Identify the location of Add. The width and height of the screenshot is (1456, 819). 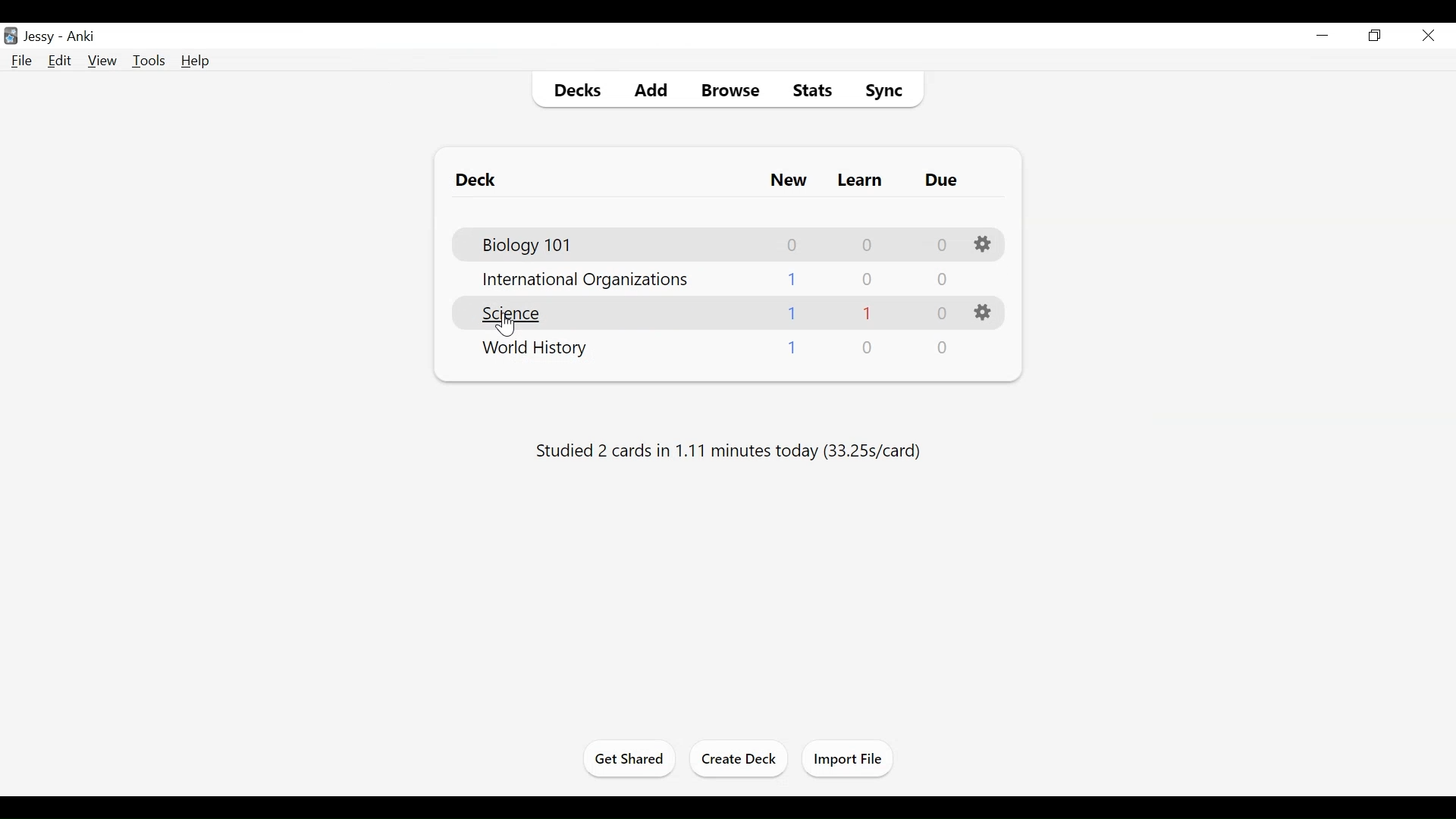
(654, 91).